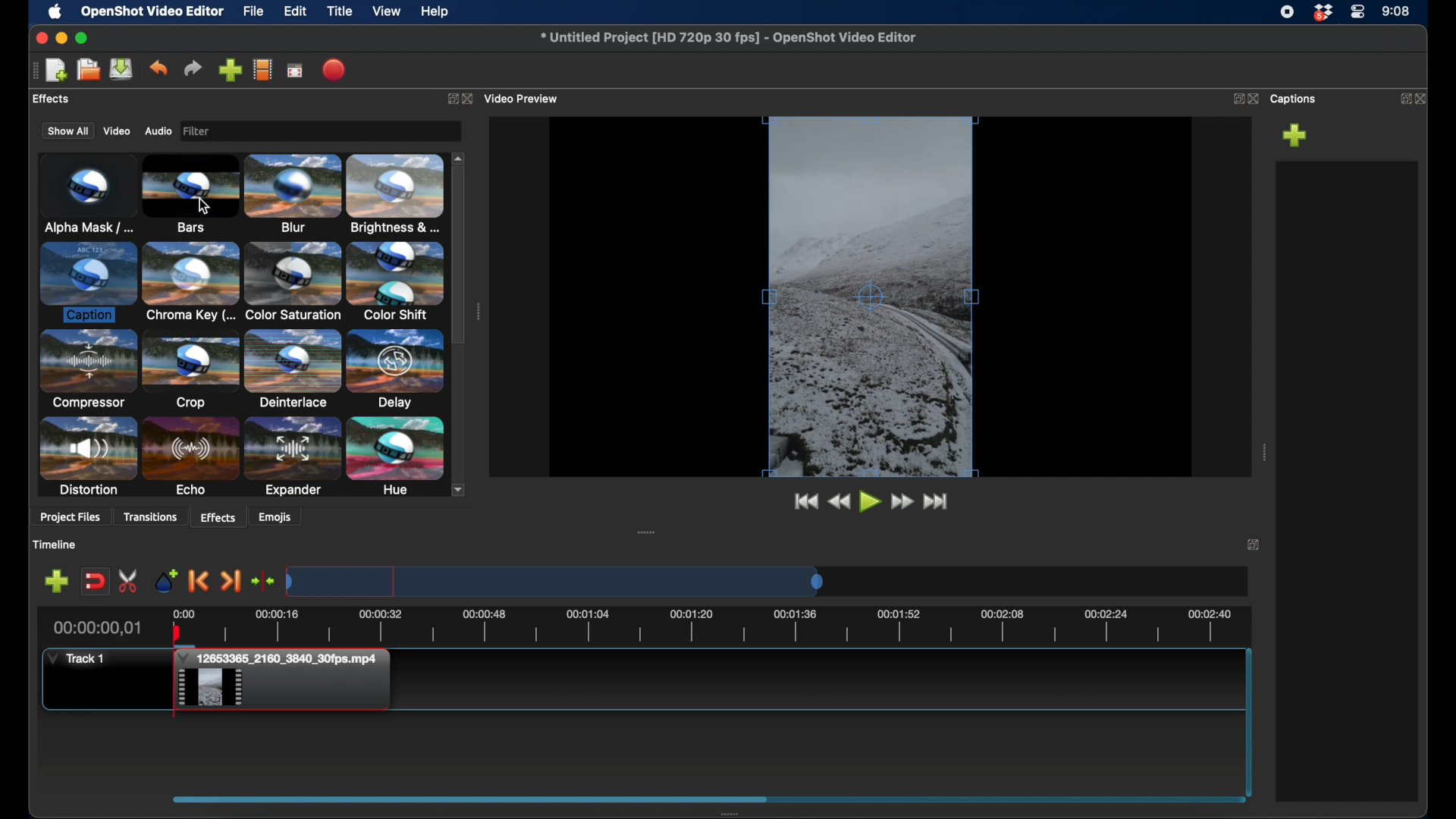 This screenshot has height=819, width=1456. What do you see at coordinates (397, 281) in the screenshot?
I see `color shift` at bounding box center [397, 281].